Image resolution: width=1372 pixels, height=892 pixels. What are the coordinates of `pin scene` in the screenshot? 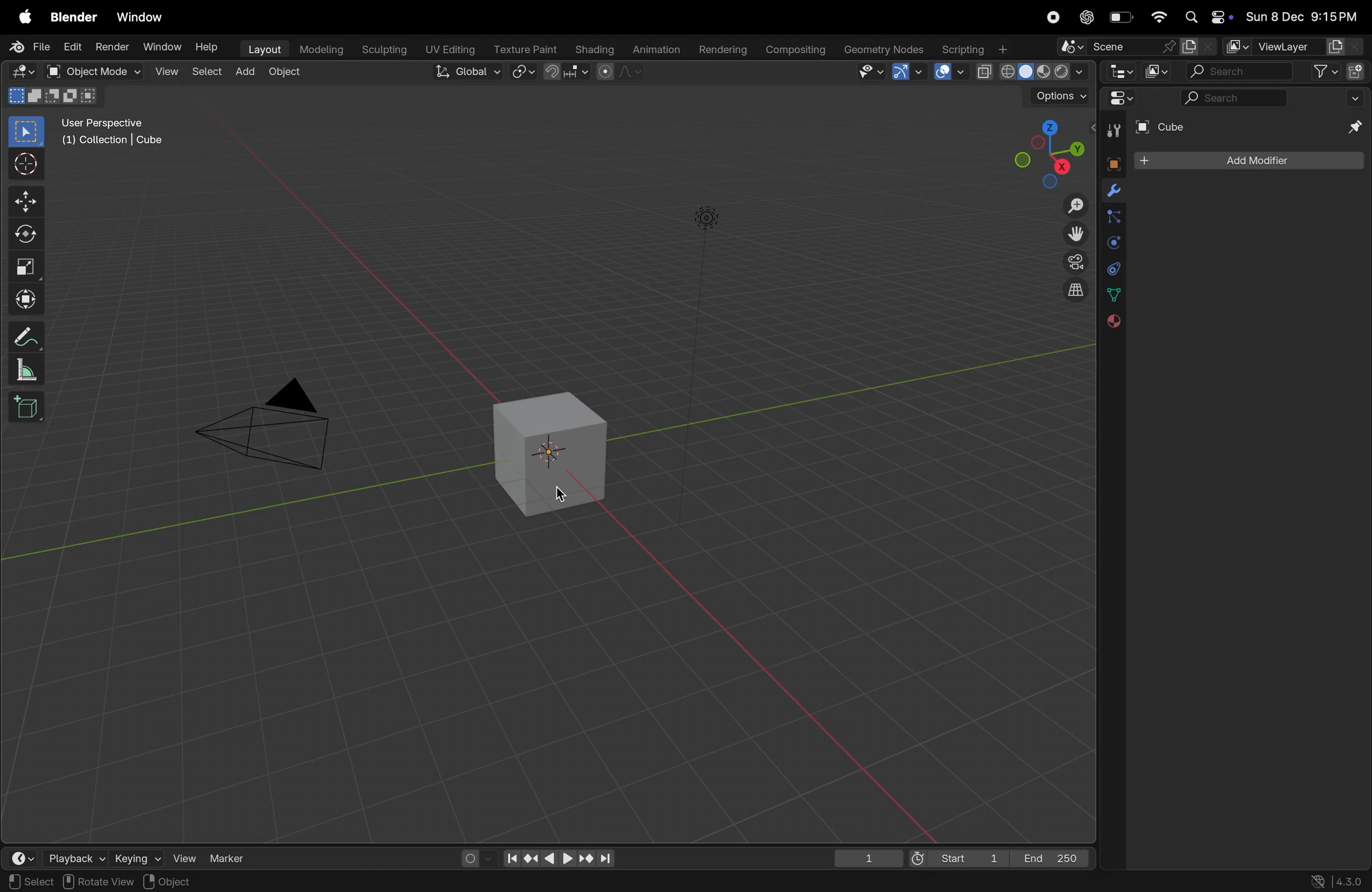 It's located at (1114, 48).